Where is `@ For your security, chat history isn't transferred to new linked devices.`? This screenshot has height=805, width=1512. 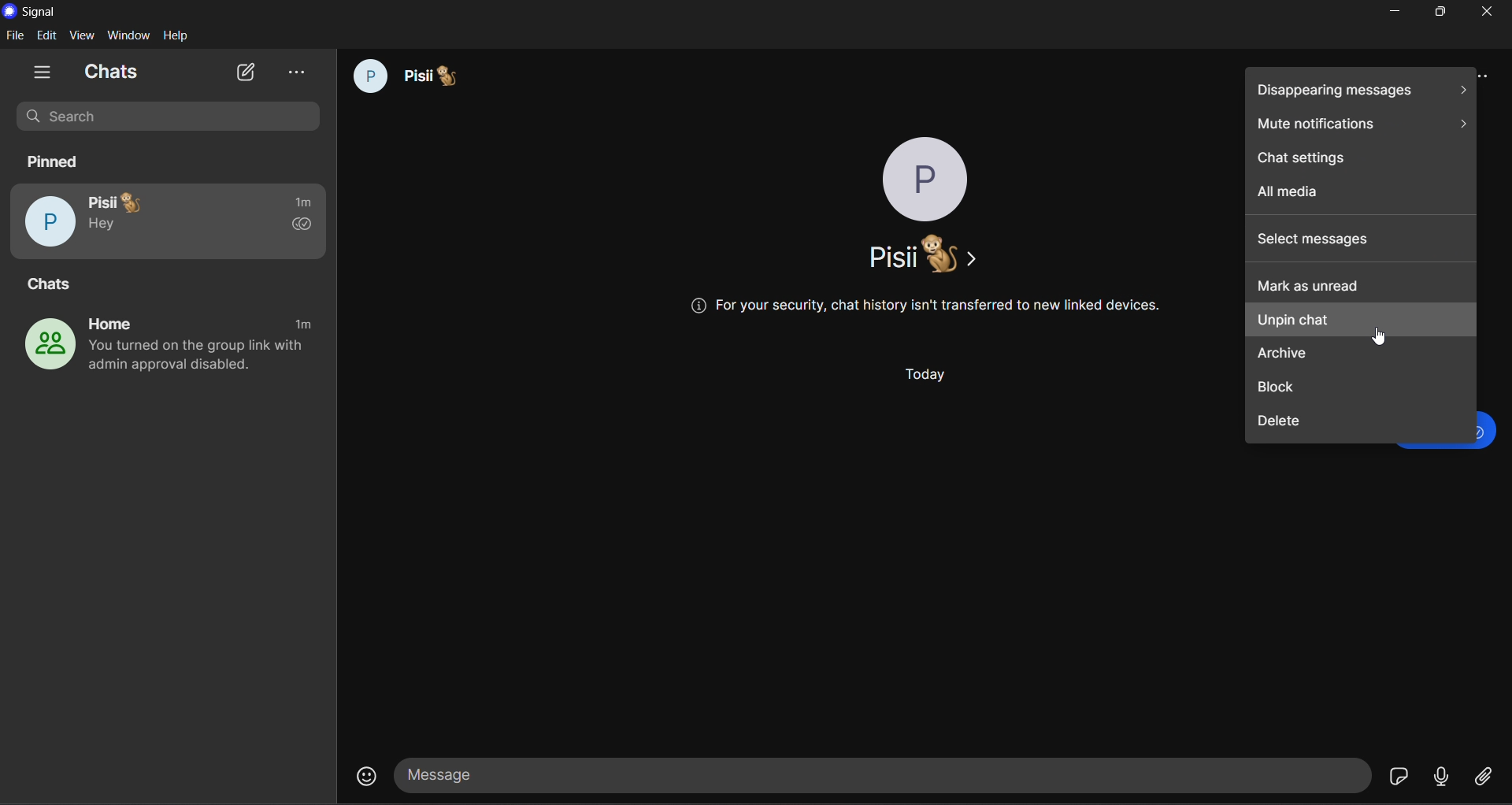 @ For your security, chat history isn't transferred to new linked devices. is located at coordinates (929, 309).